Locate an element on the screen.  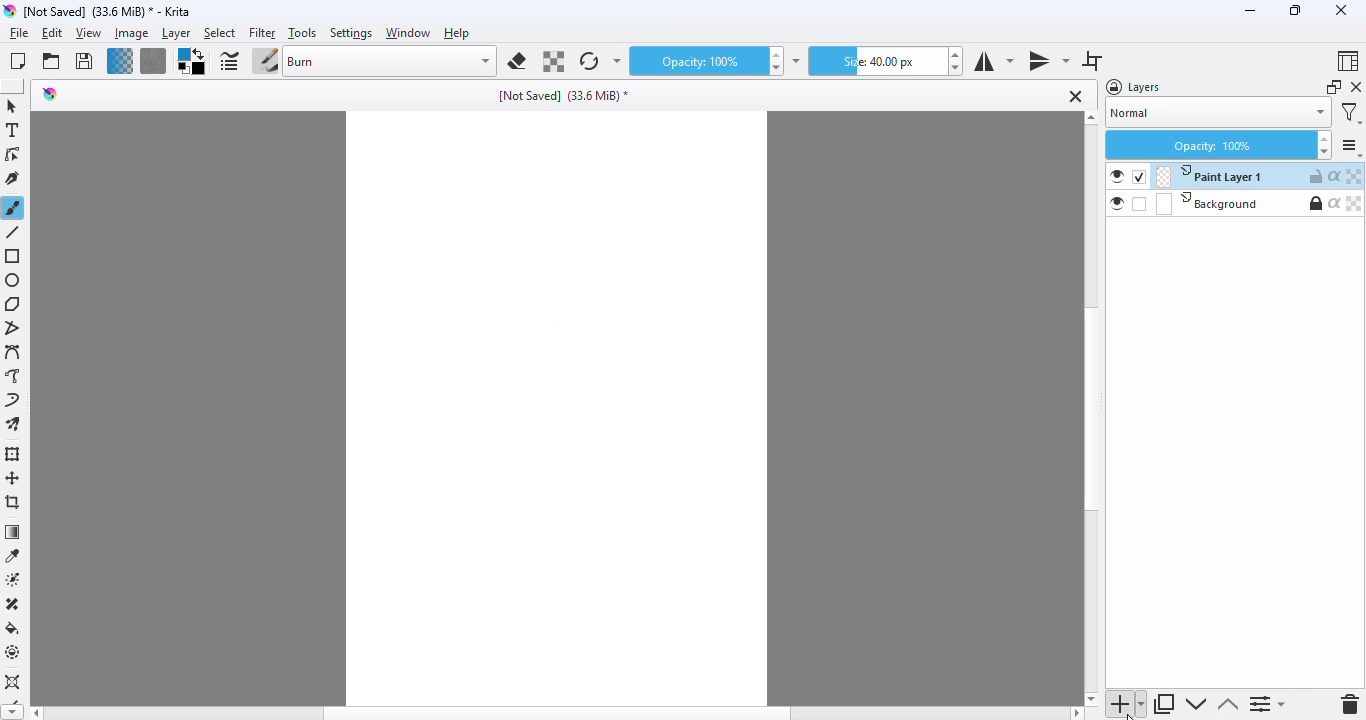
alpha locked: no is located at coordinates (1355, 176).